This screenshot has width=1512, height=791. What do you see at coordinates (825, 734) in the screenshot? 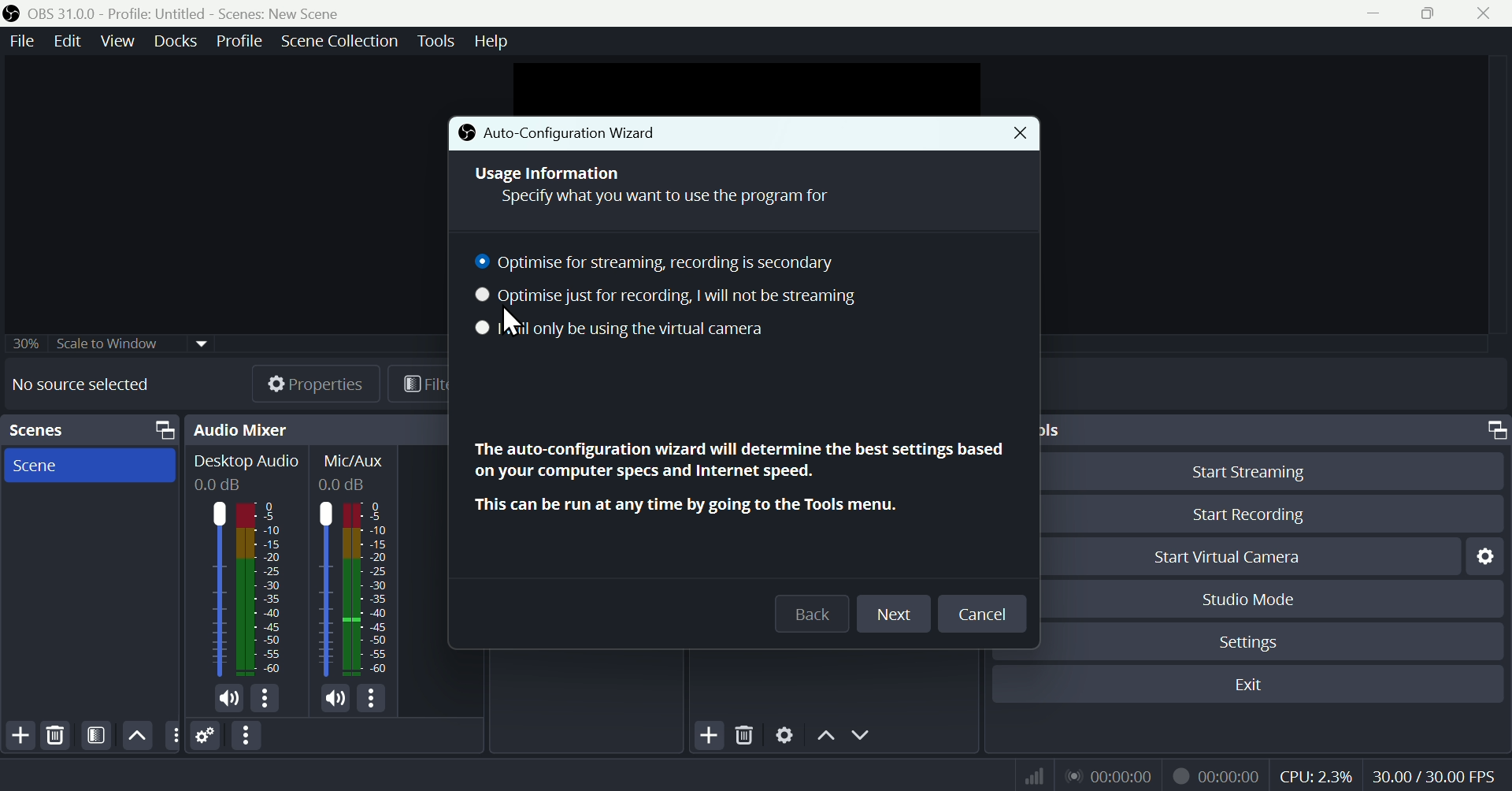
I see `Up` at bounding box center [825, 734].